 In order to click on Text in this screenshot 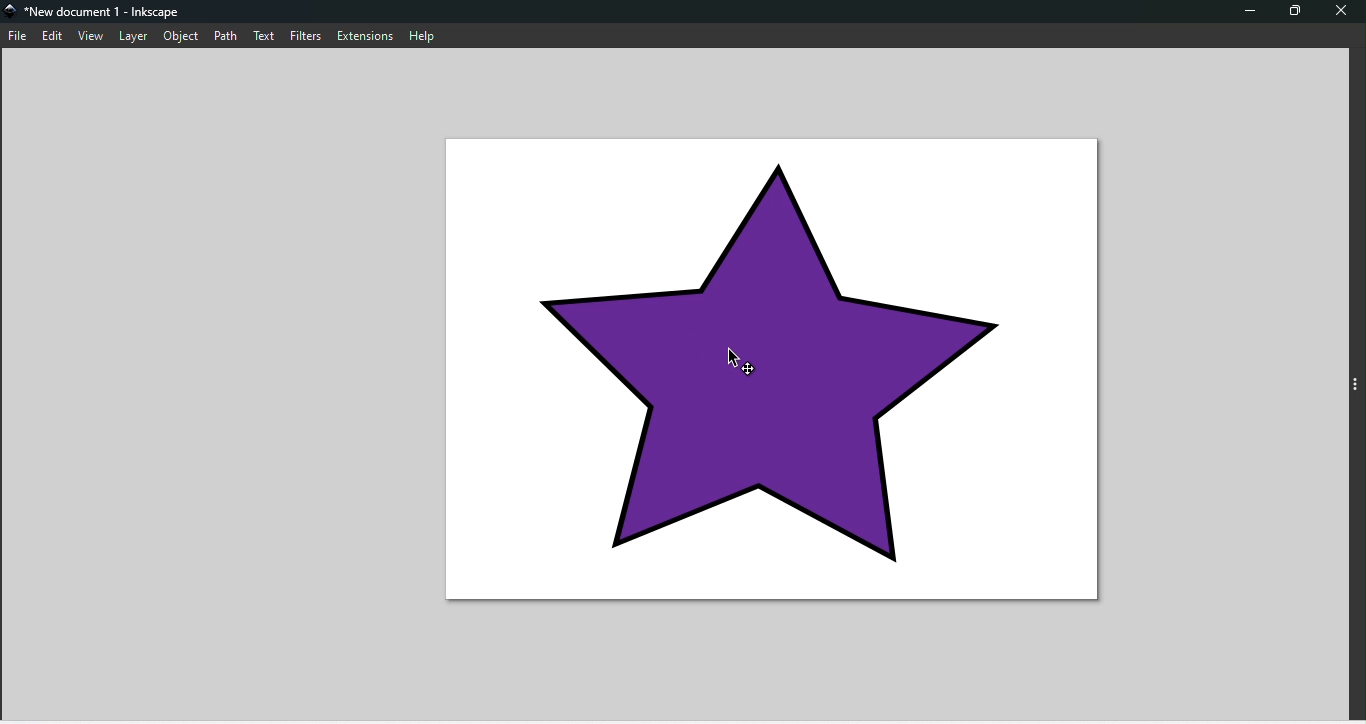, I will do `click(270, 38)`.